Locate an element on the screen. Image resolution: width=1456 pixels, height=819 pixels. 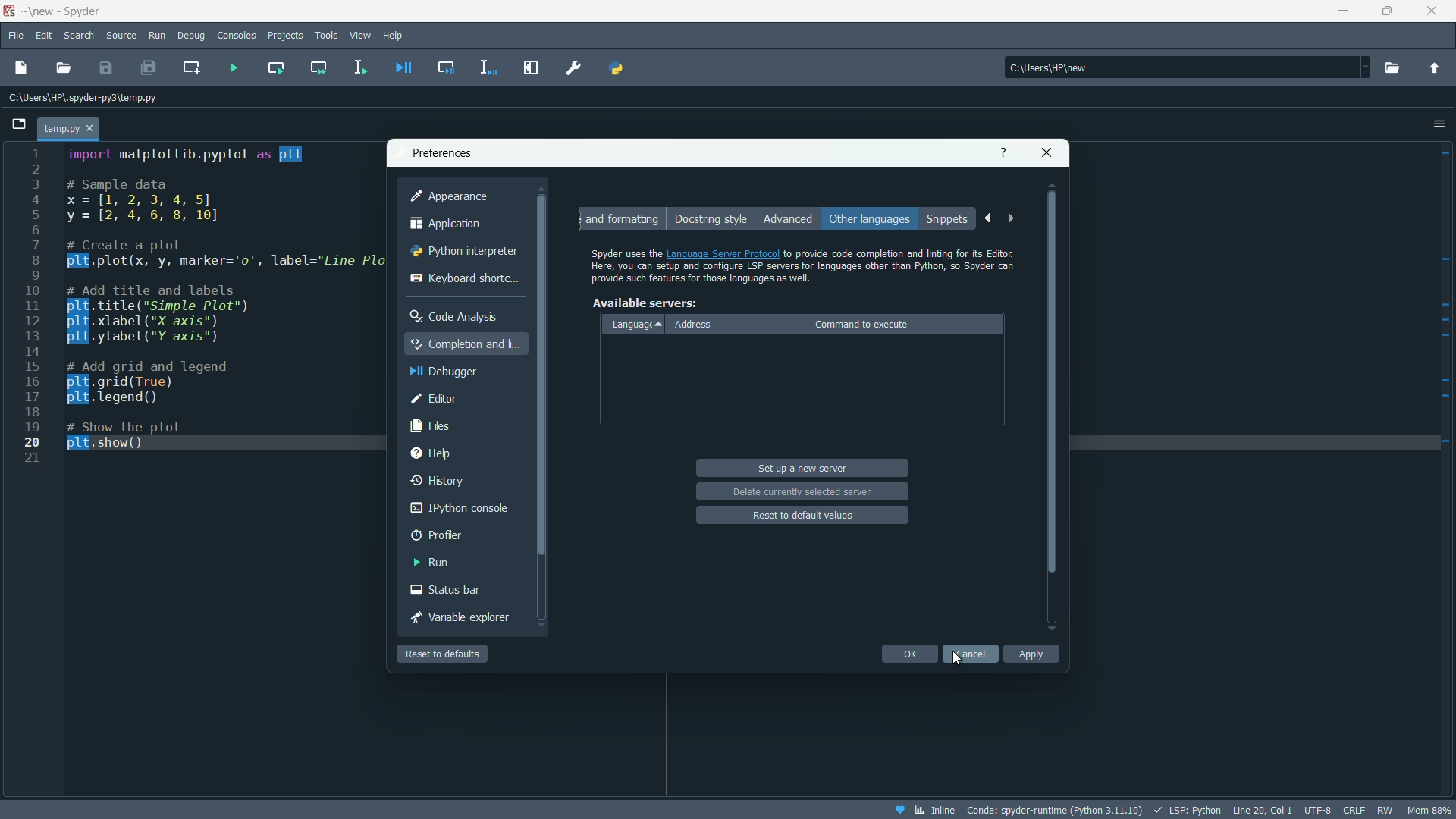
open file is located at coordinates (64, 68).